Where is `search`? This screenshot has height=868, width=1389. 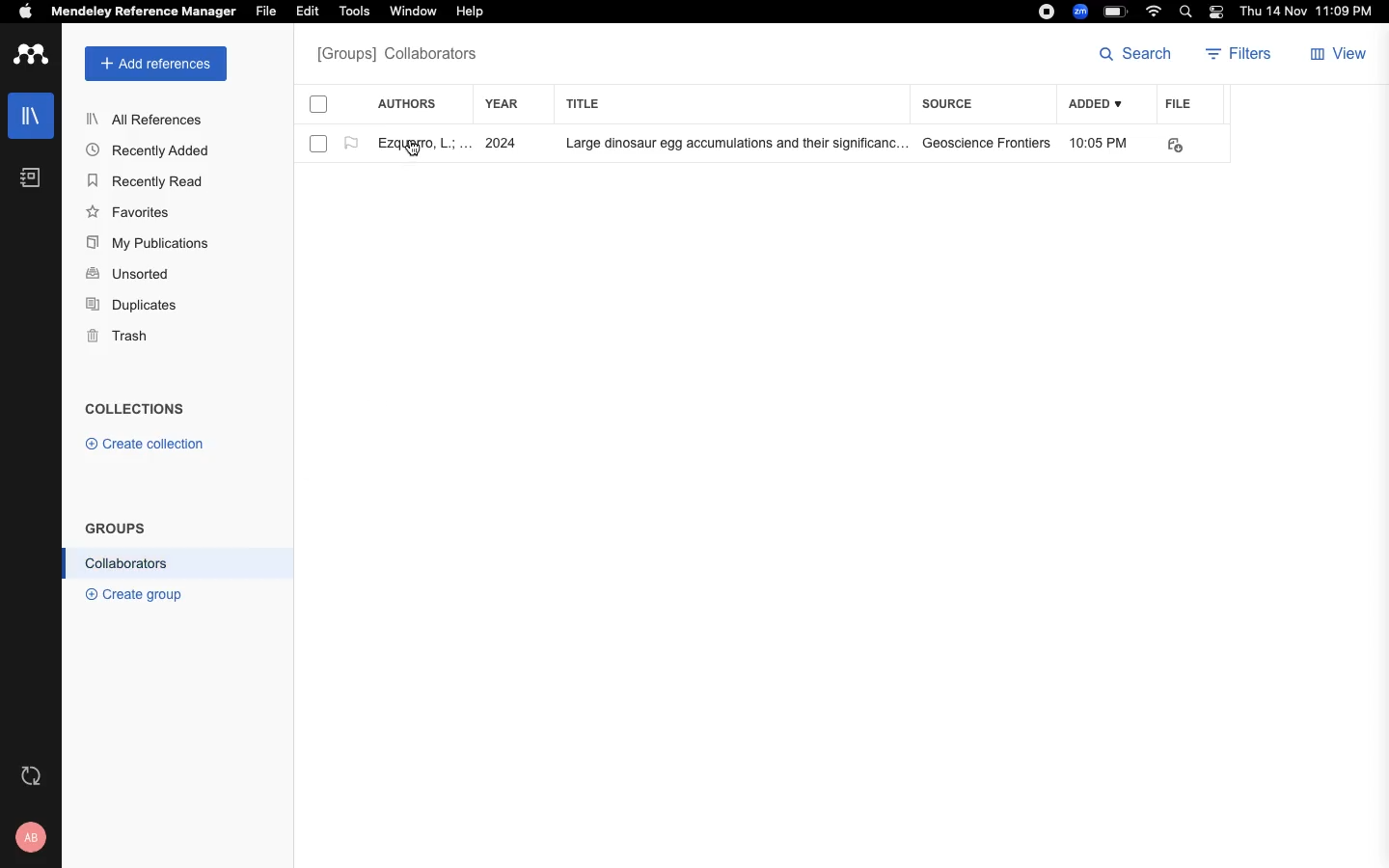
search is located at coordinates (1135, 55).